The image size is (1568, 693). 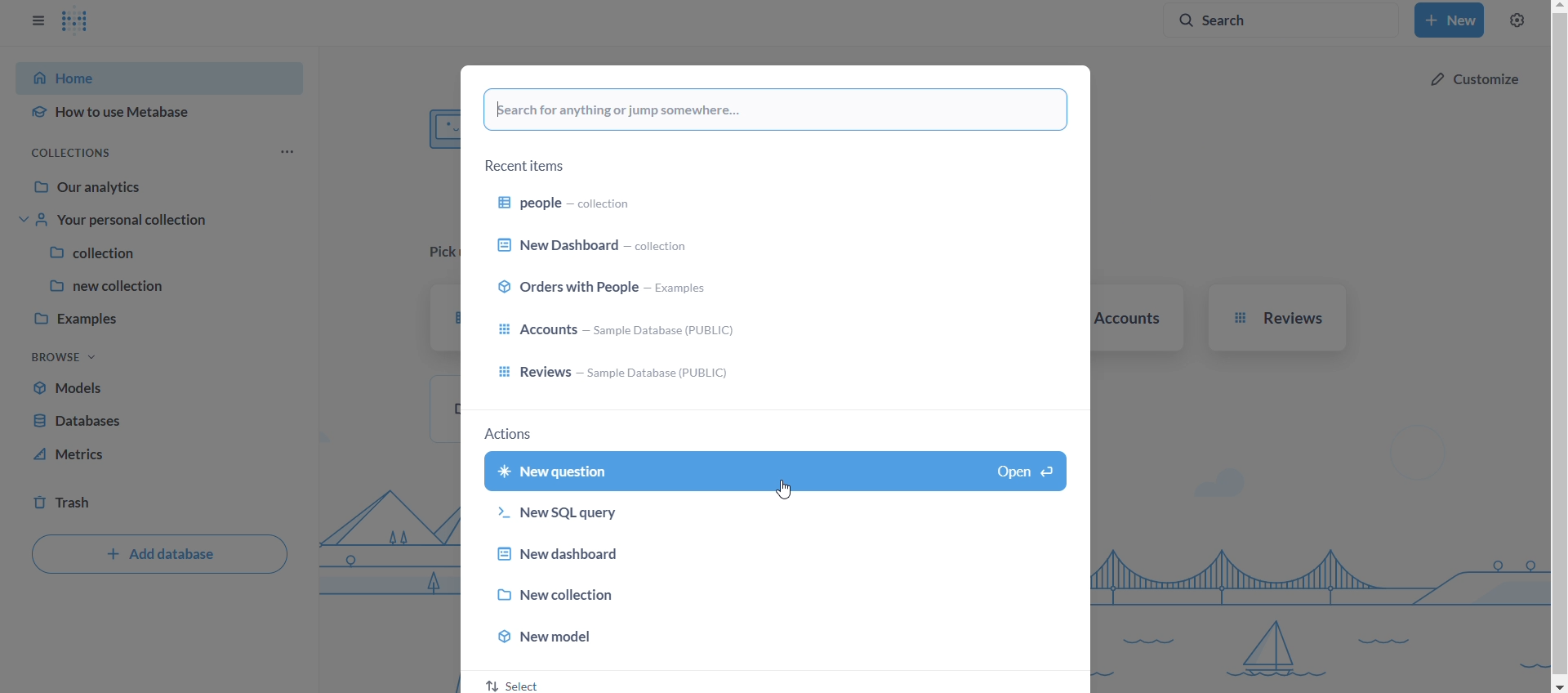 I want to click on new dashboard, so click(x=773, y=555).